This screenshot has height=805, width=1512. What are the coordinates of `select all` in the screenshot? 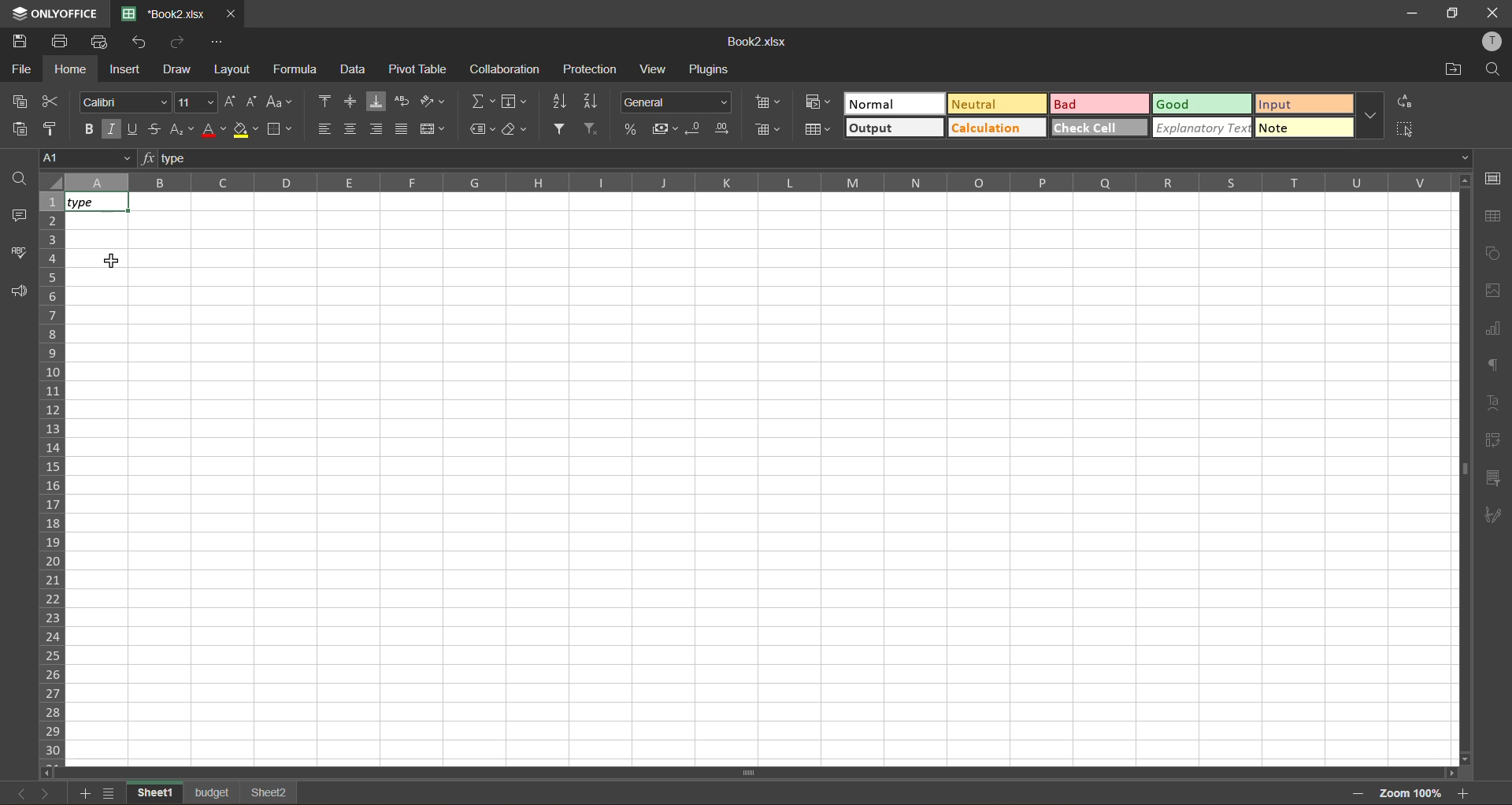 It's located at (1407, 129).